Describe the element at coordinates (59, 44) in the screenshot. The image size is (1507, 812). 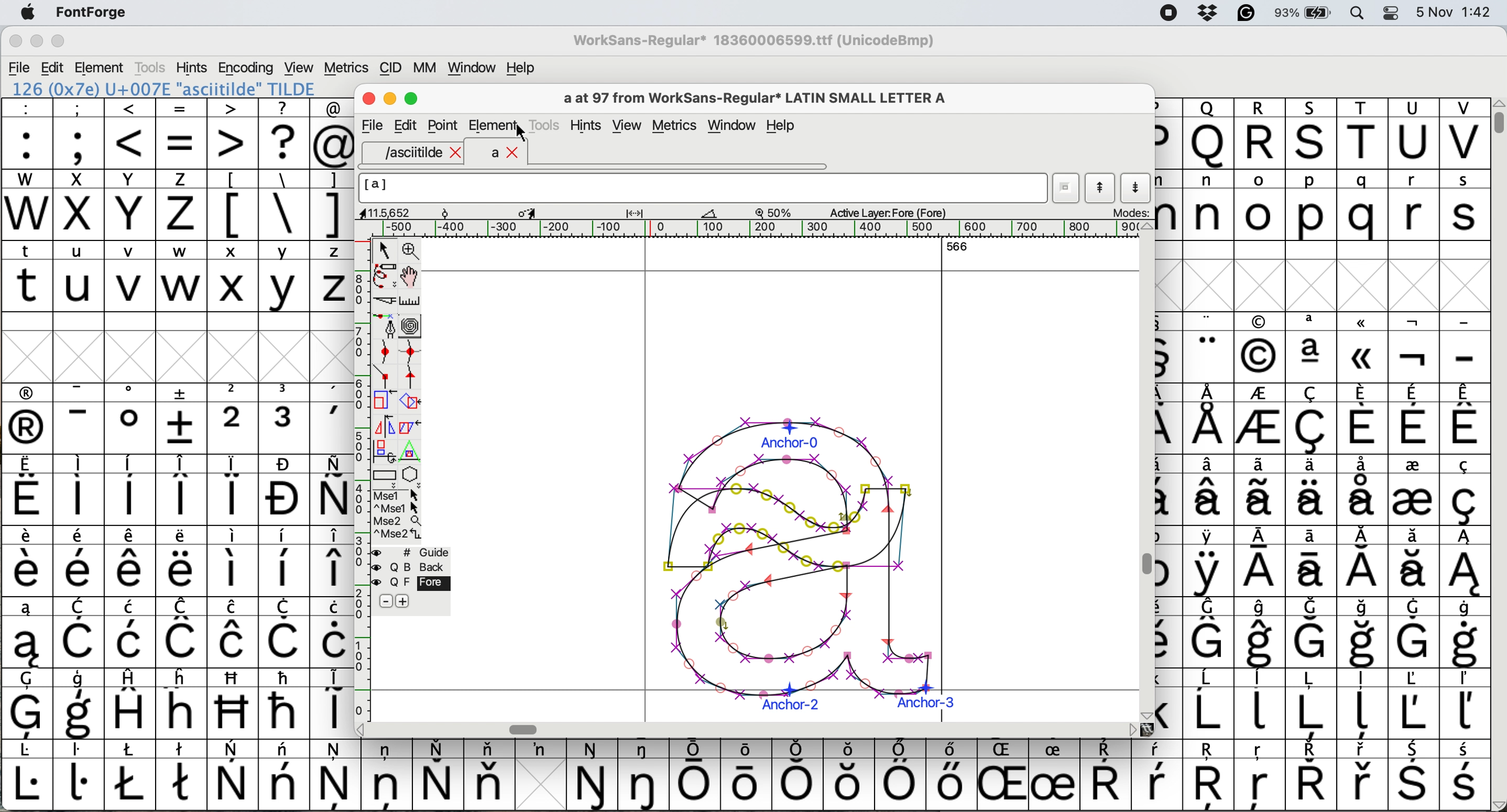
I see `maximise` at that location.